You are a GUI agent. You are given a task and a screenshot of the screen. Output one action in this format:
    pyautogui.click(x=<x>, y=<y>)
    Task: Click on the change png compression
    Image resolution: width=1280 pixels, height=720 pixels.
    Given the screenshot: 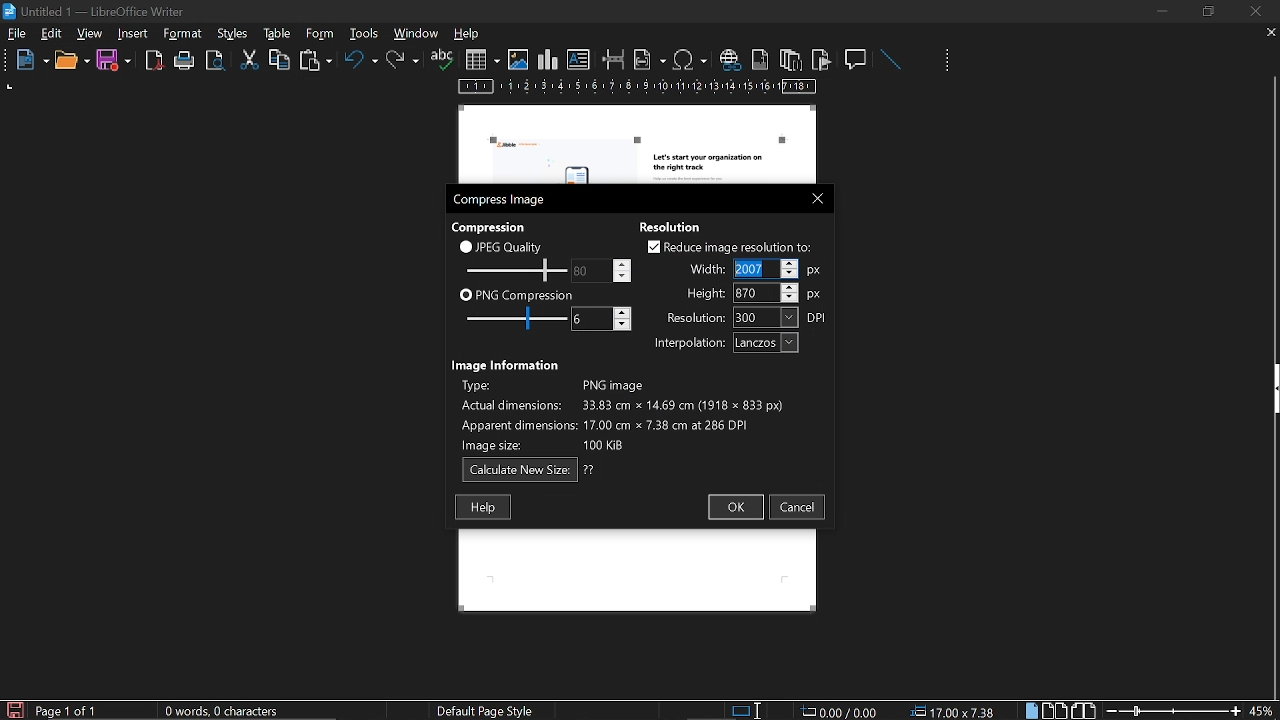 What is the action you would take?
    pyautogui.click(x=601, y=319)
    